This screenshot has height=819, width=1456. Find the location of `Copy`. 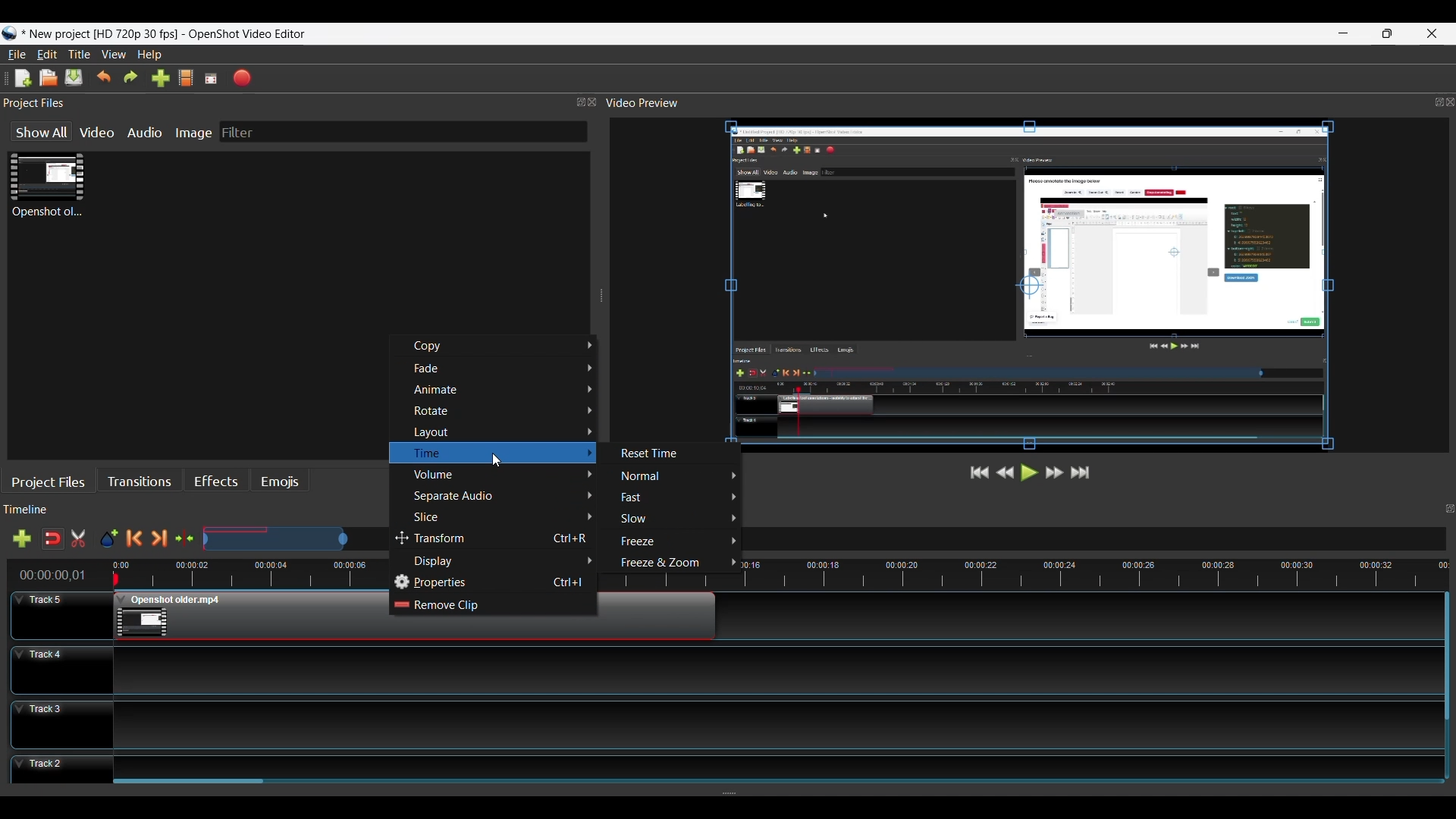

Copy is located at coordinates (501, 347).